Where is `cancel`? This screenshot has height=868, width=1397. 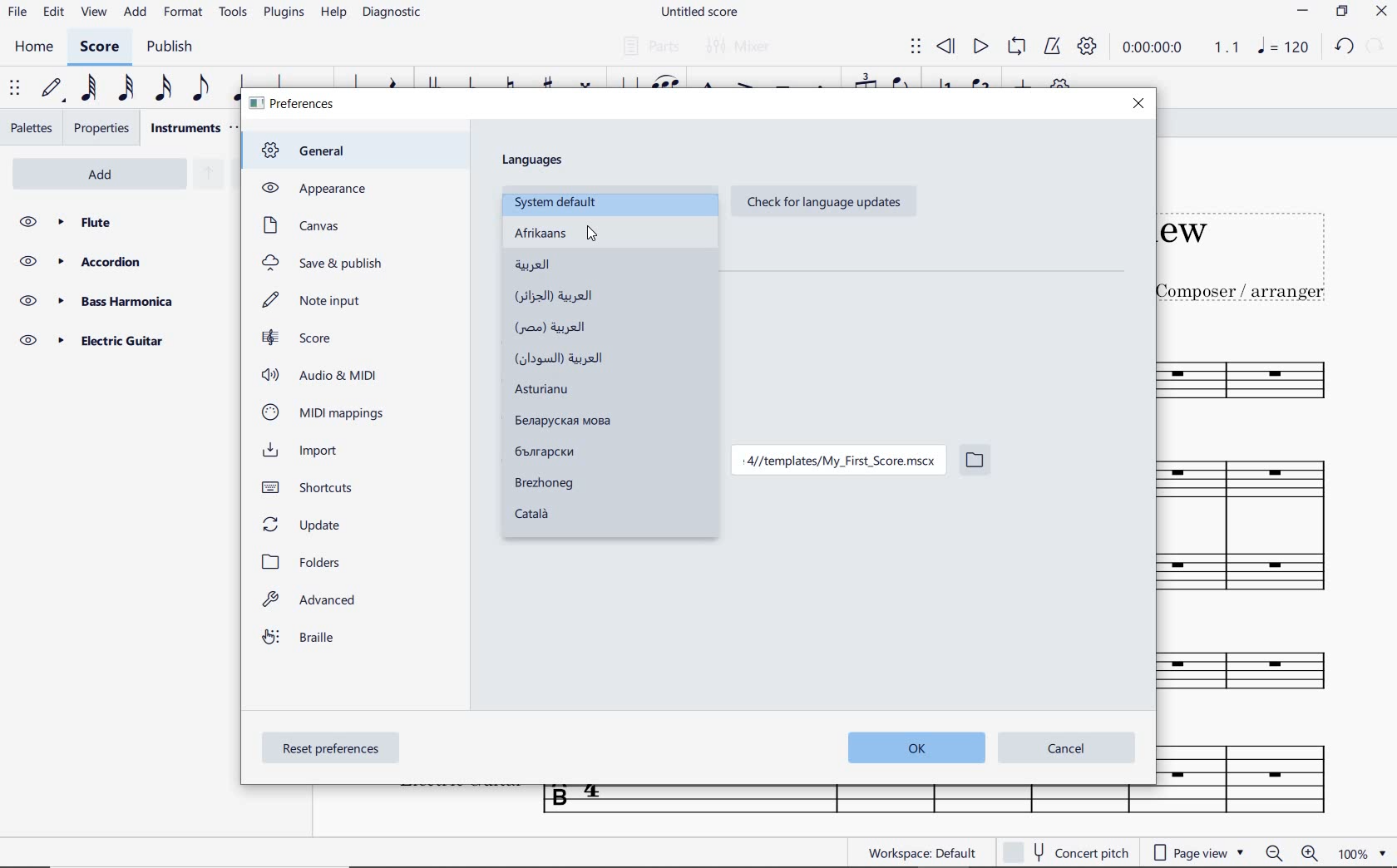 cancel is located at coordinates (1066, 748).